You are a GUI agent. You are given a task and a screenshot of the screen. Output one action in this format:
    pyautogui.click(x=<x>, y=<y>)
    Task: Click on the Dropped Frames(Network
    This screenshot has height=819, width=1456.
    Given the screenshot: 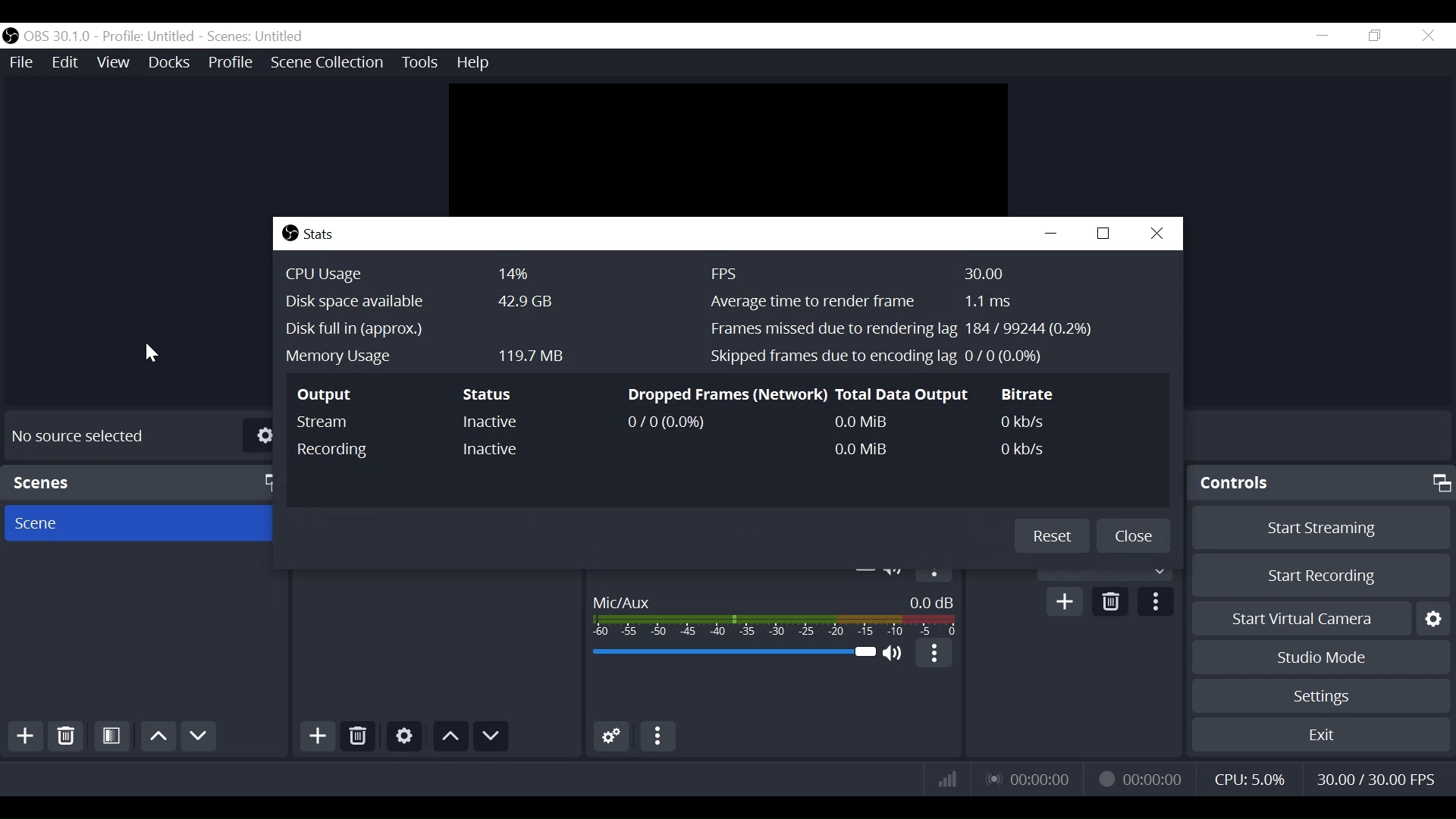 What is the action you would take?
    pyautogui.click(x=725, y=395)
    